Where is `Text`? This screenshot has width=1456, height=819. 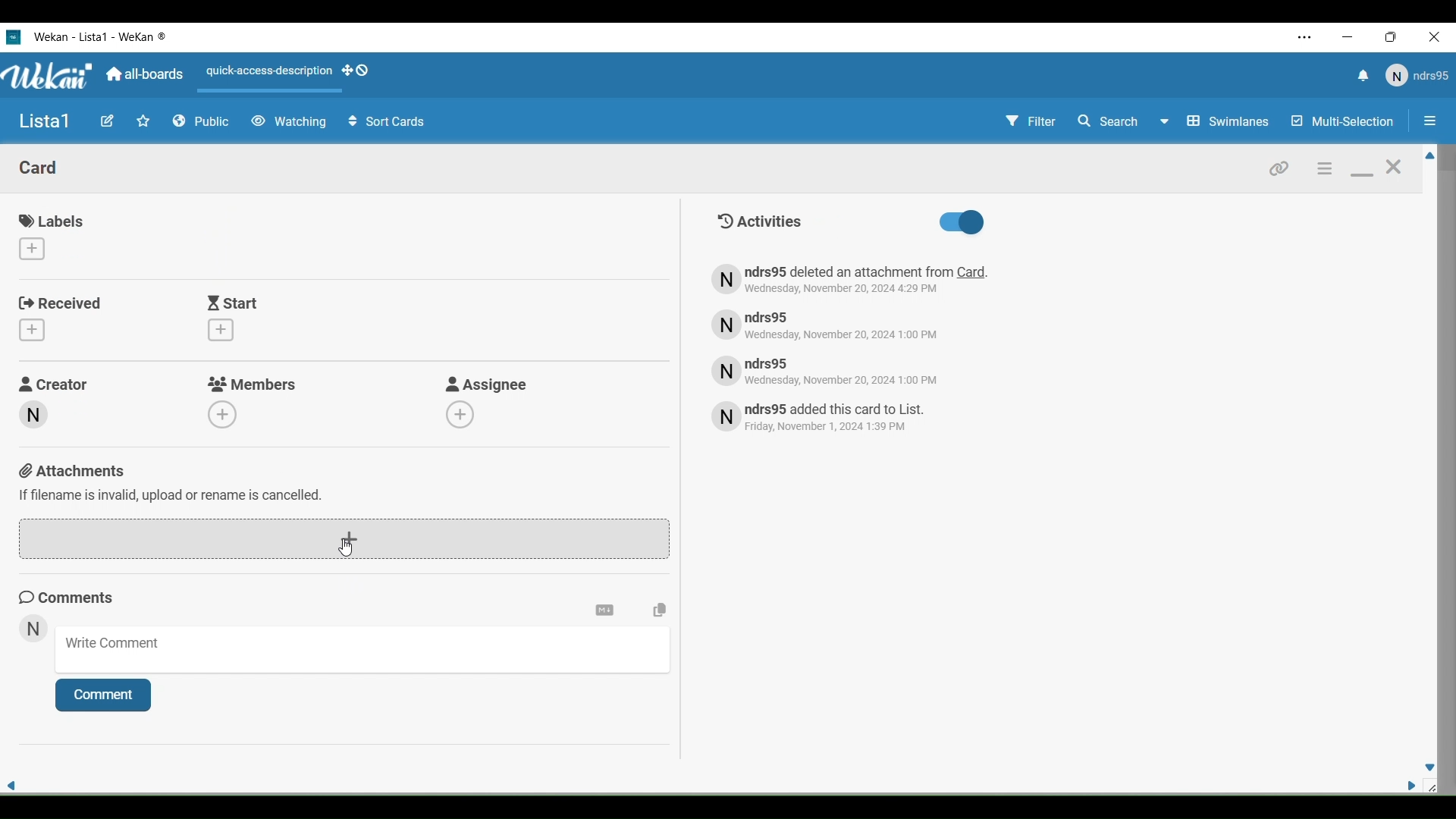
Text is located at coordinates (836, 324).